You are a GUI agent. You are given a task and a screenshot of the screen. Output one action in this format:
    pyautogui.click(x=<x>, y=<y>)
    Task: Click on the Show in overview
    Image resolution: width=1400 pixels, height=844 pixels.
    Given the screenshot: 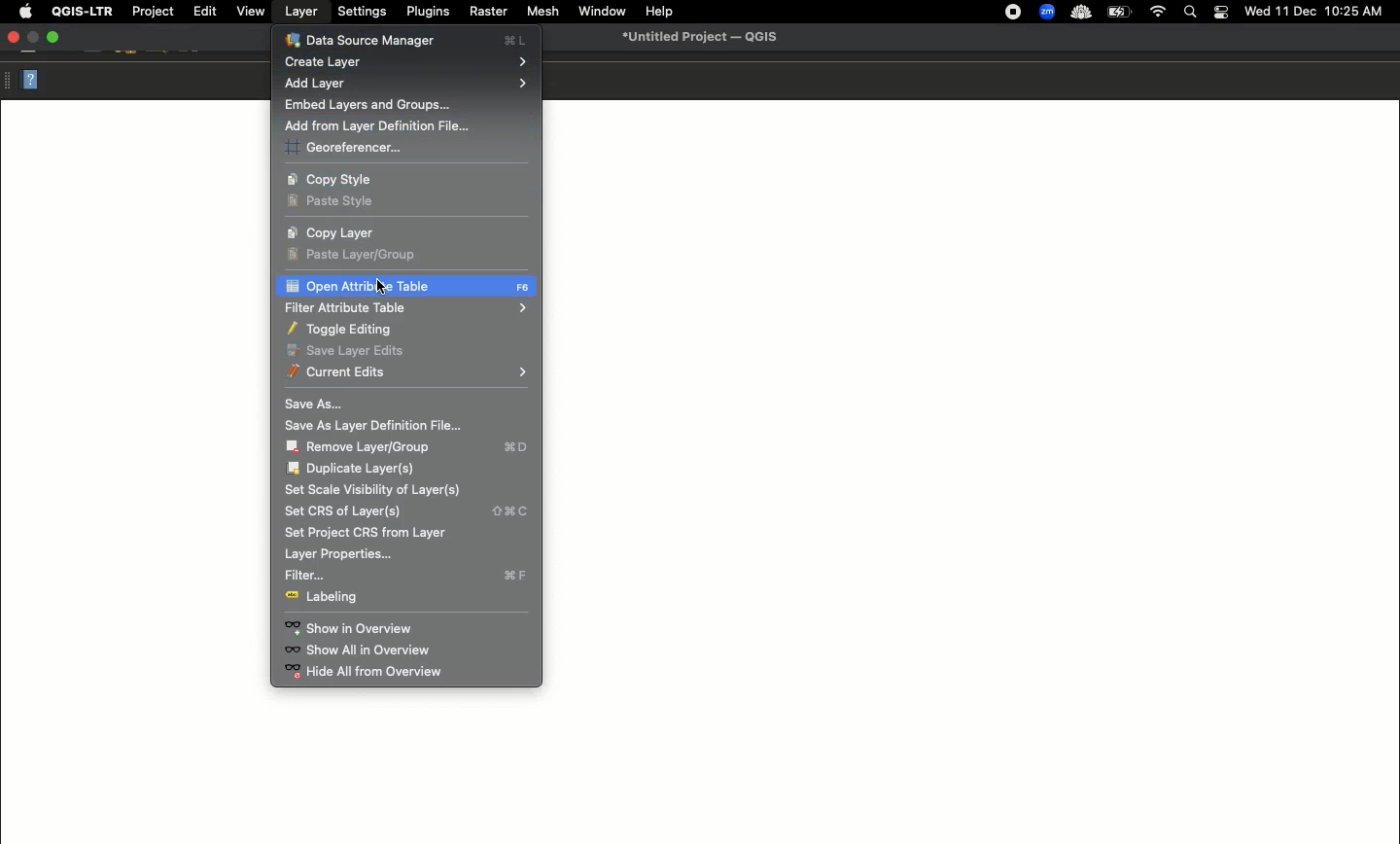 What is the action you would take?
    pyautogui.click(x=351, y=629)
    